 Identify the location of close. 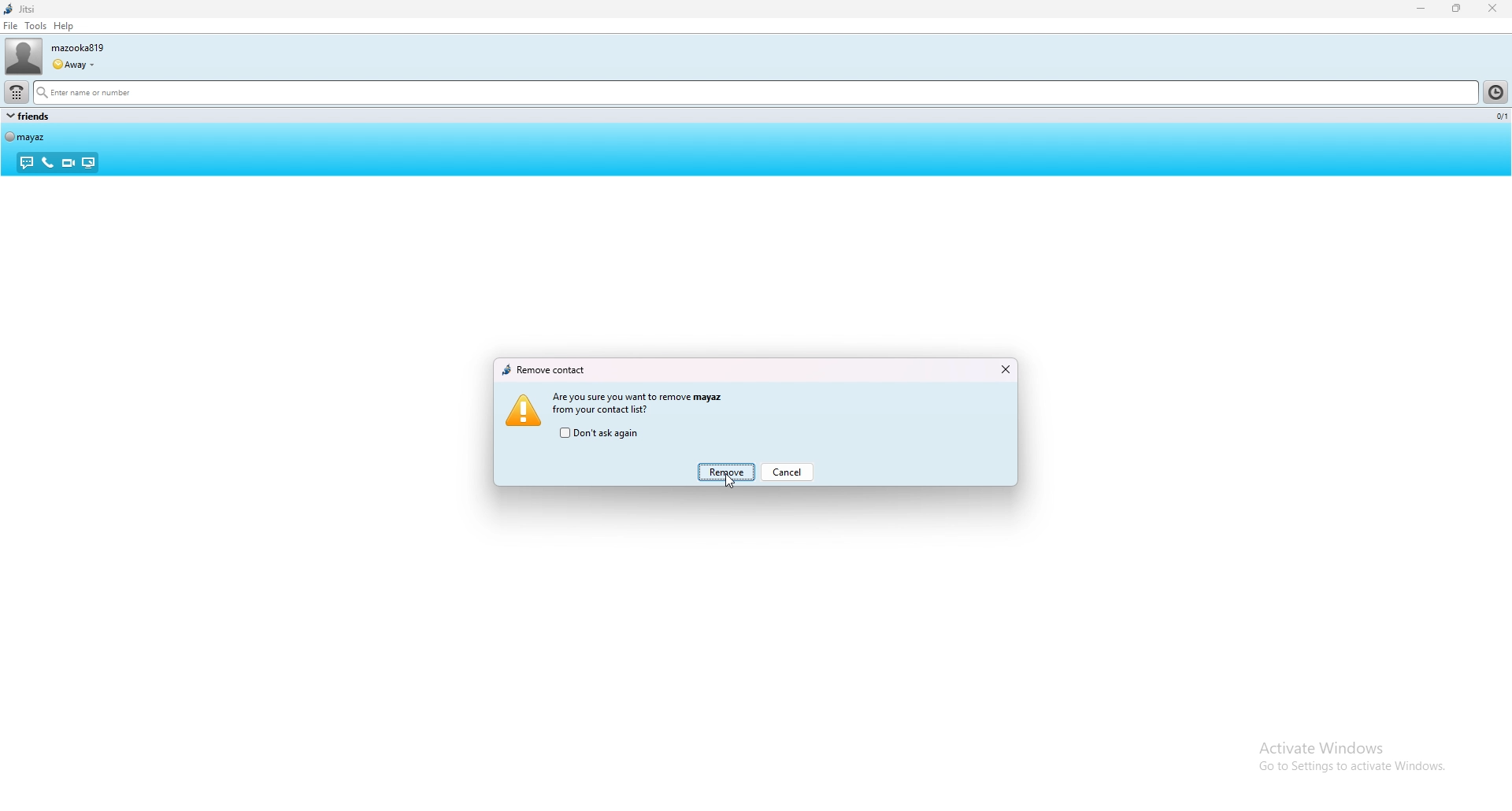
(1492, 9).